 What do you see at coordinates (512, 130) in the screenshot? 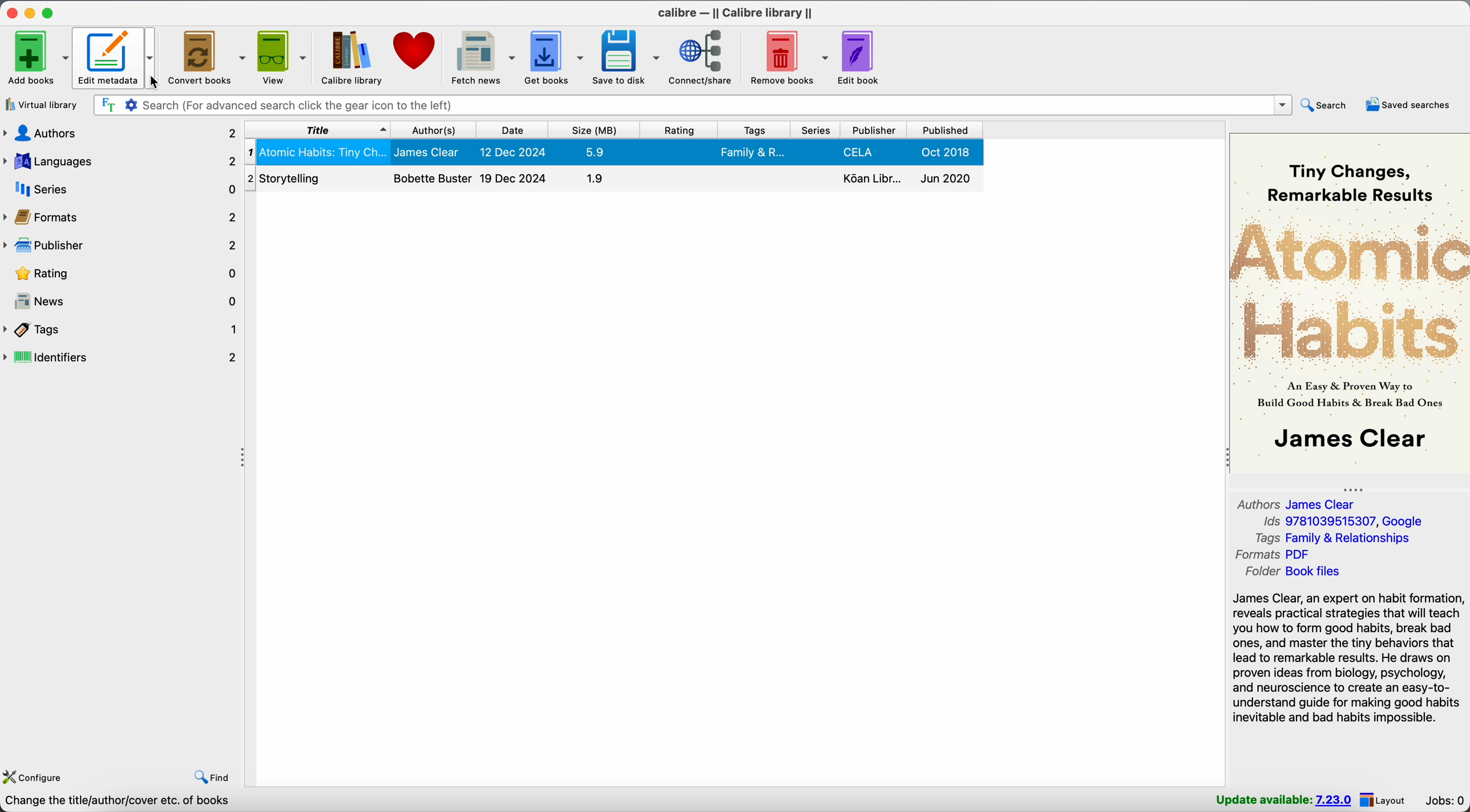
I see `date` at bounding box center [512, 130].